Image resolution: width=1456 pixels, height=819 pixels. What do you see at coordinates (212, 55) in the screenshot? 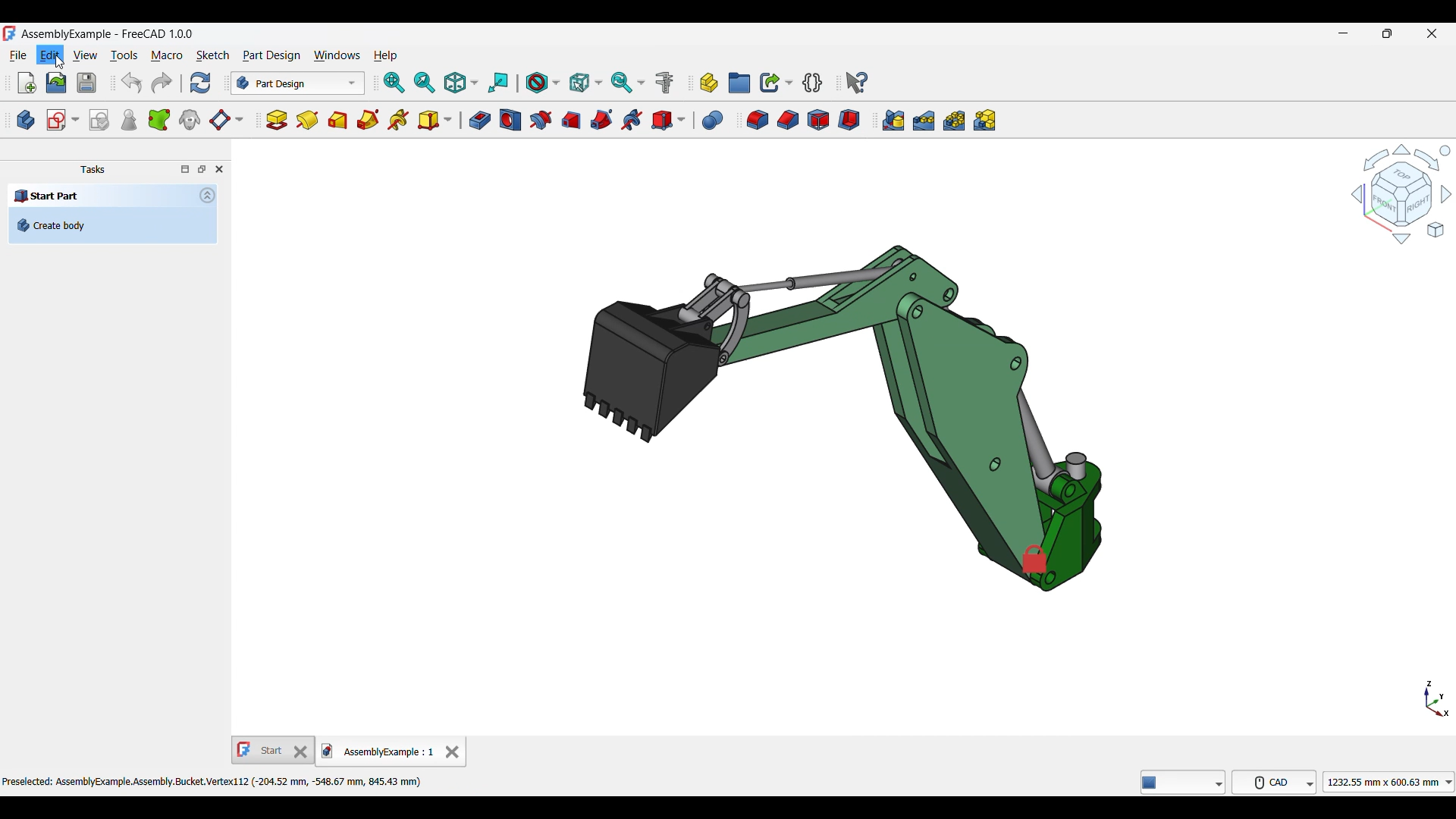
I see `Sketch menu` at bounding box center [212, 55].